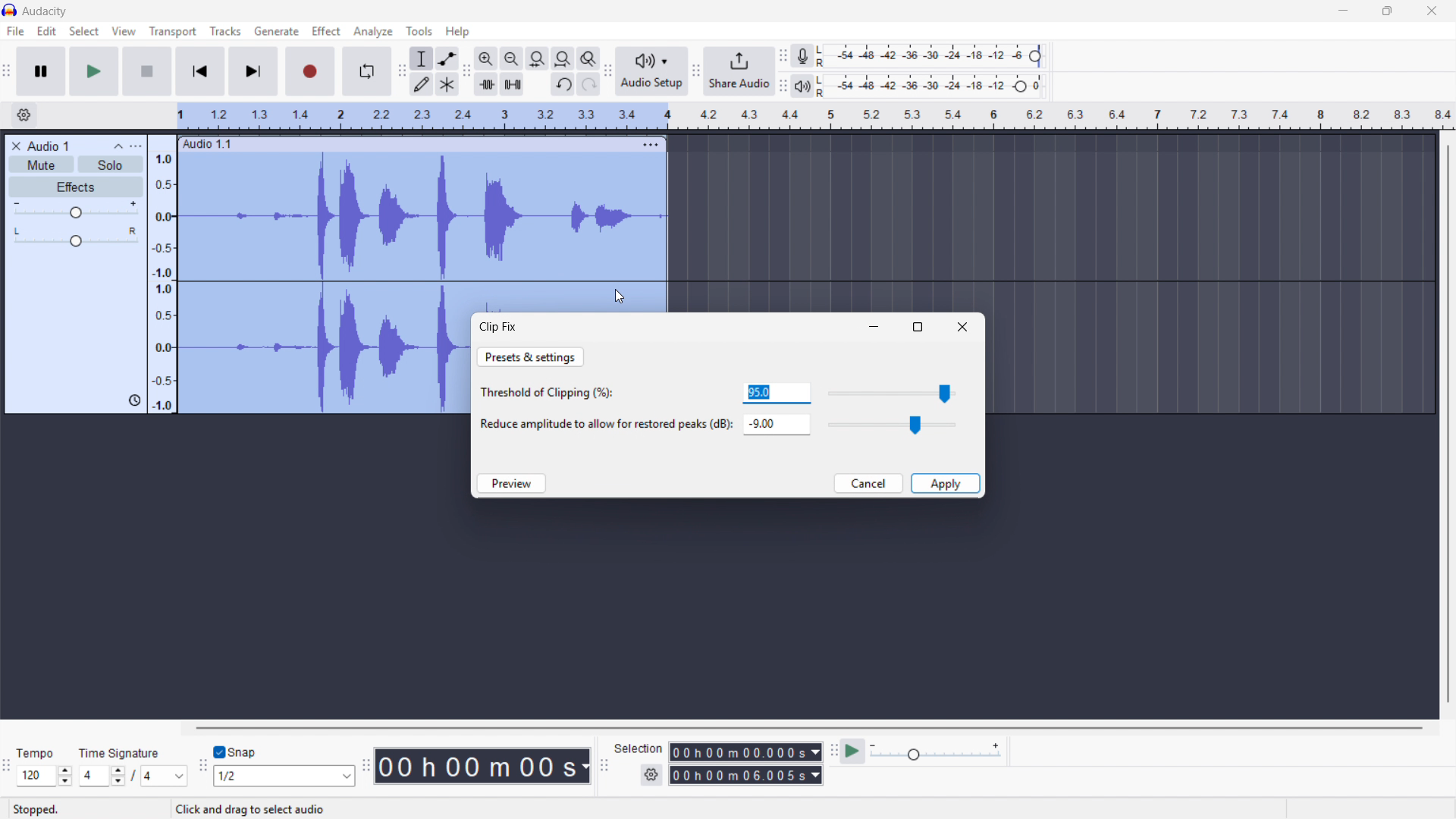 The width and height of the screenshot is (1456, 819). I want to click on selection toolbar, so click(604, 766).